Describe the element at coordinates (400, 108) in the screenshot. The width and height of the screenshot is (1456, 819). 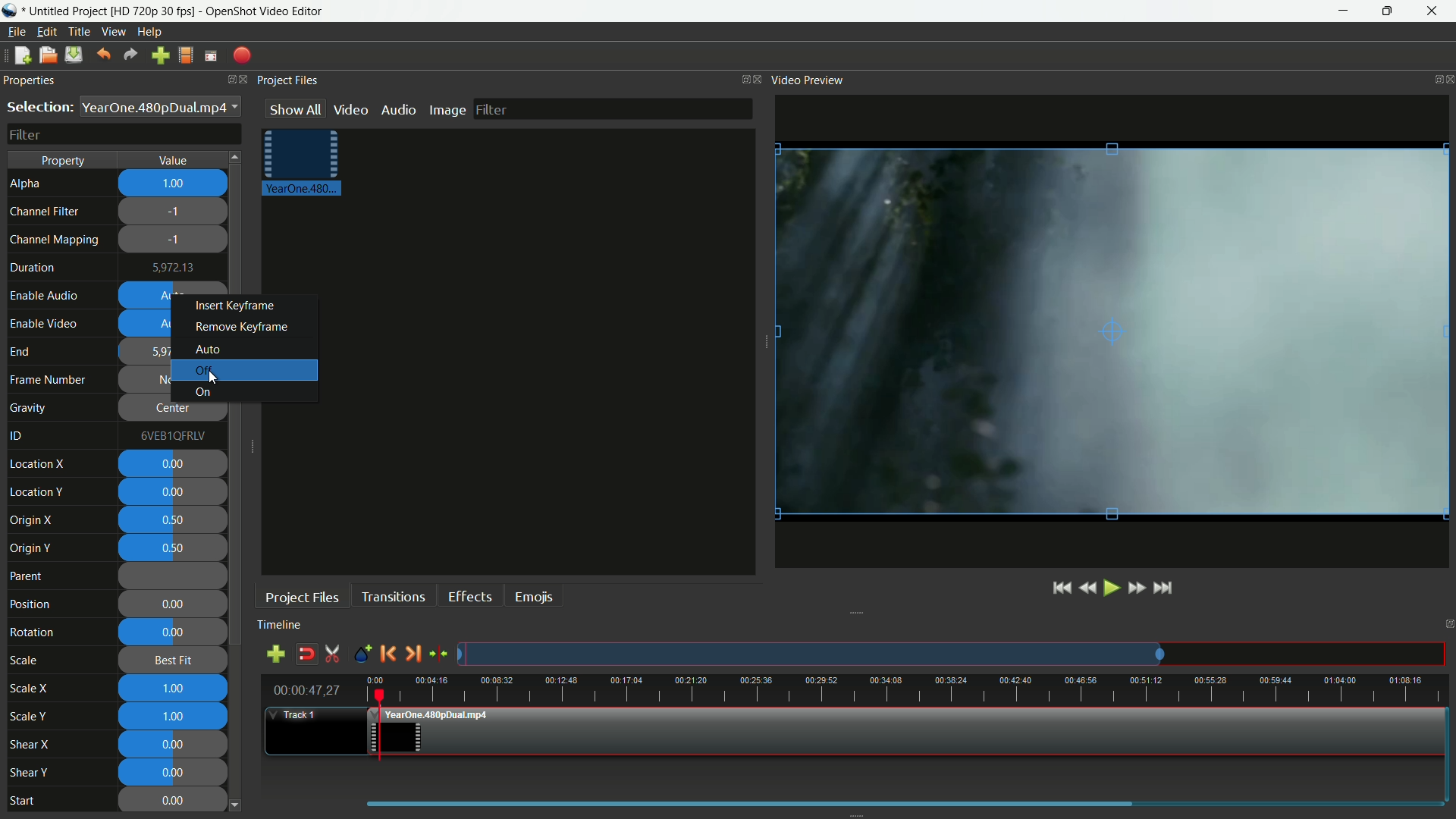
I see `audio` at that location.